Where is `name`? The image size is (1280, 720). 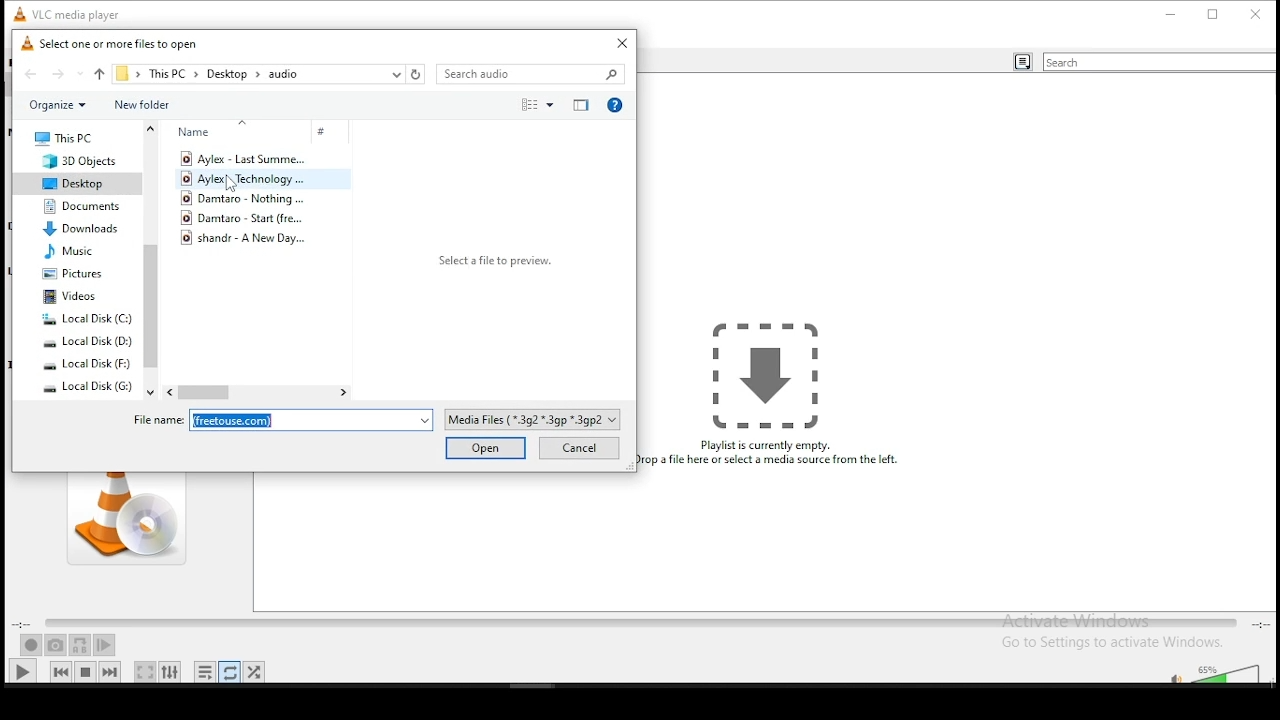
name is located at coordinates (227, 131).